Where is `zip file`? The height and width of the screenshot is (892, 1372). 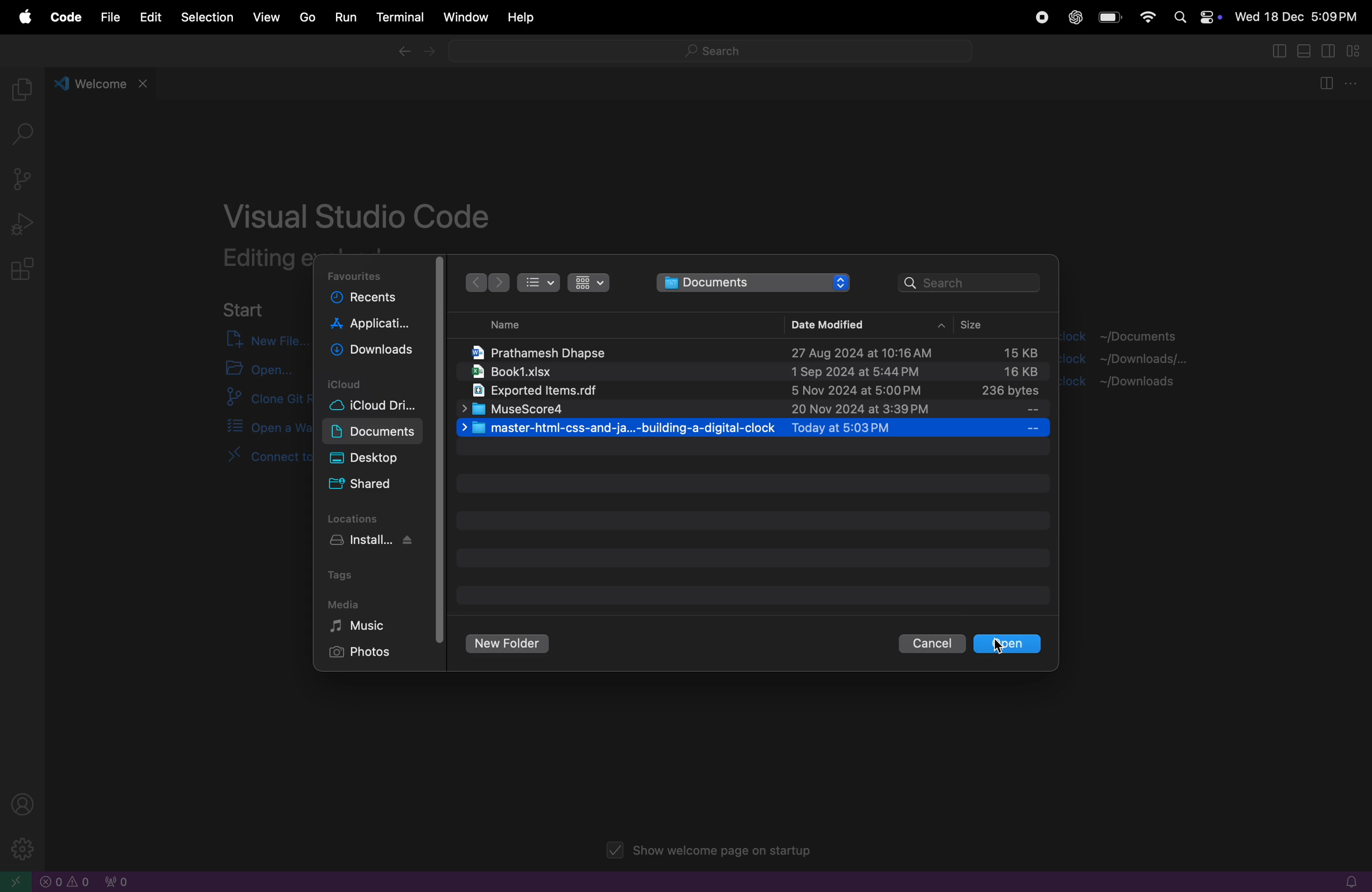 zip file is located at coordinates (750, 392).